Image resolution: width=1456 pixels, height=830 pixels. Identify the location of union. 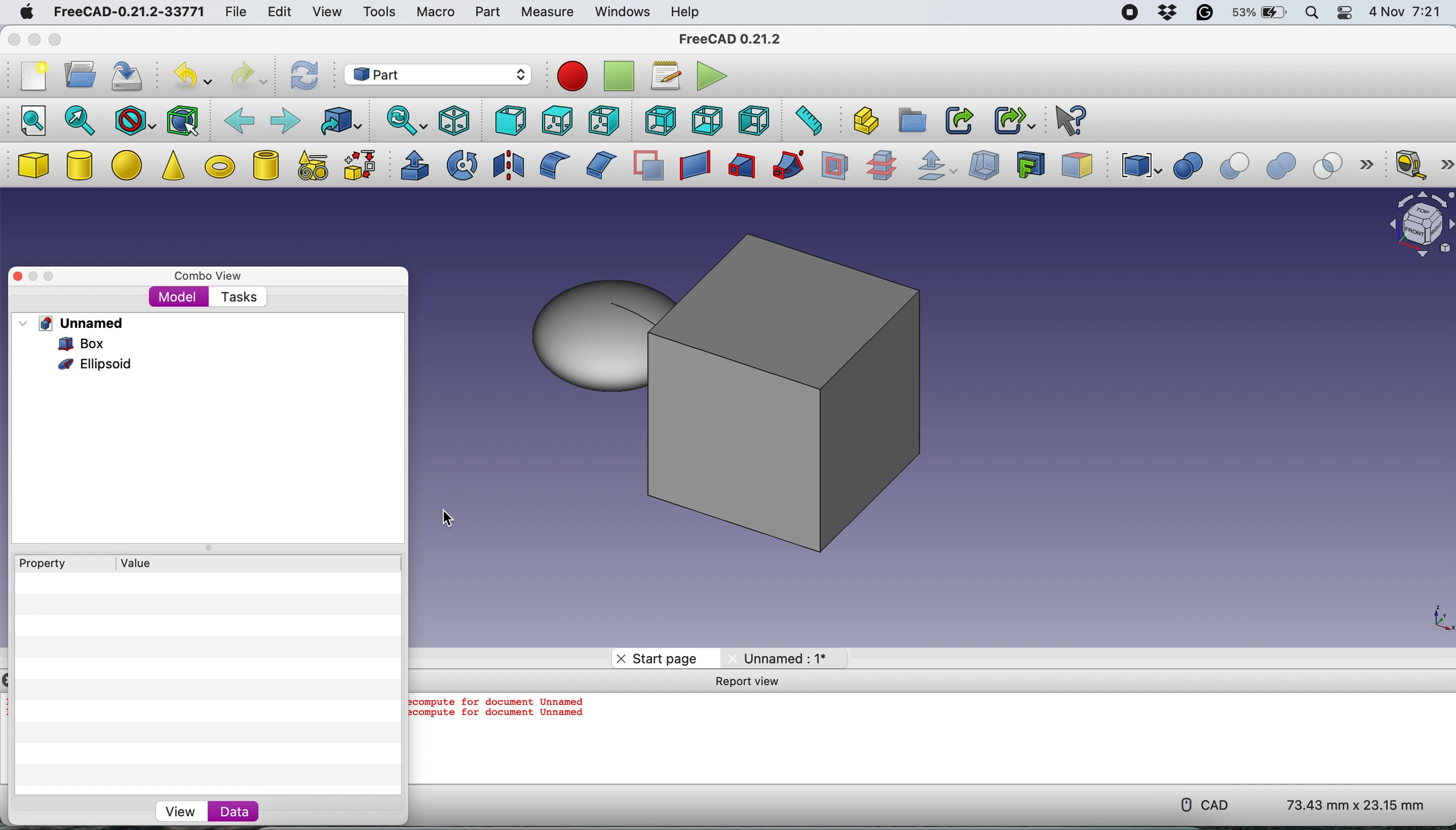
(1286, 166).